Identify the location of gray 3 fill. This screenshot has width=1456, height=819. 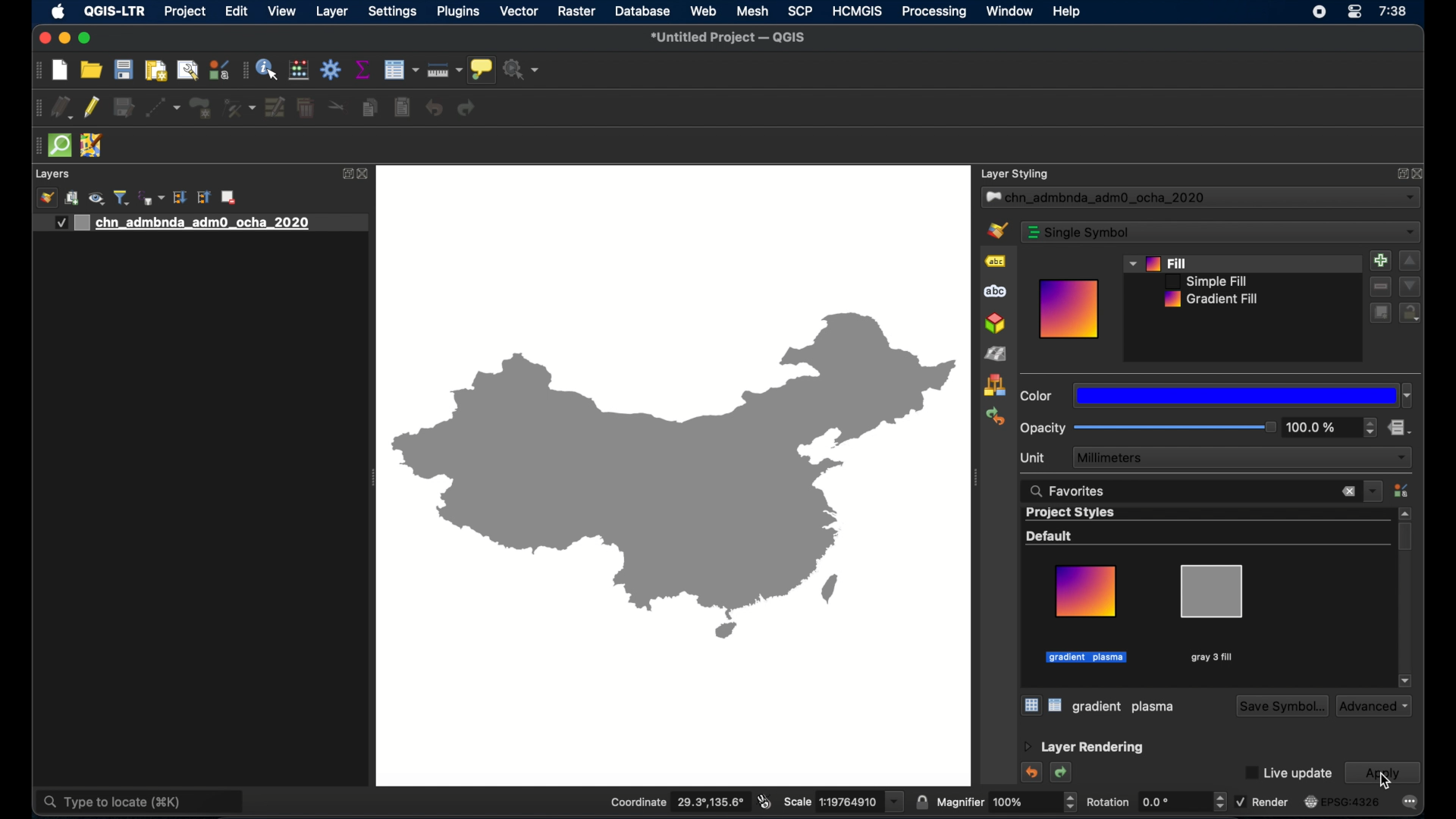
(1210, 613).